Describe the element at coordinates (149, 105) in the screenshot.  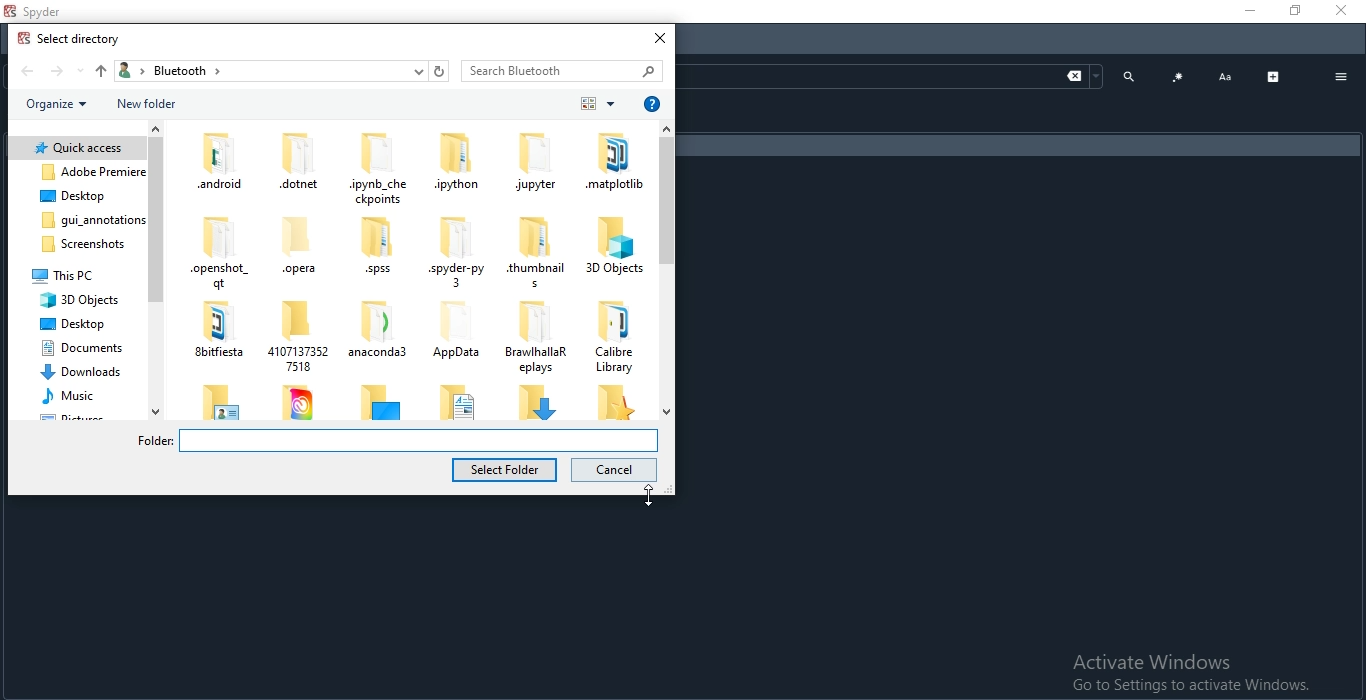
I see `new folder` at that location.